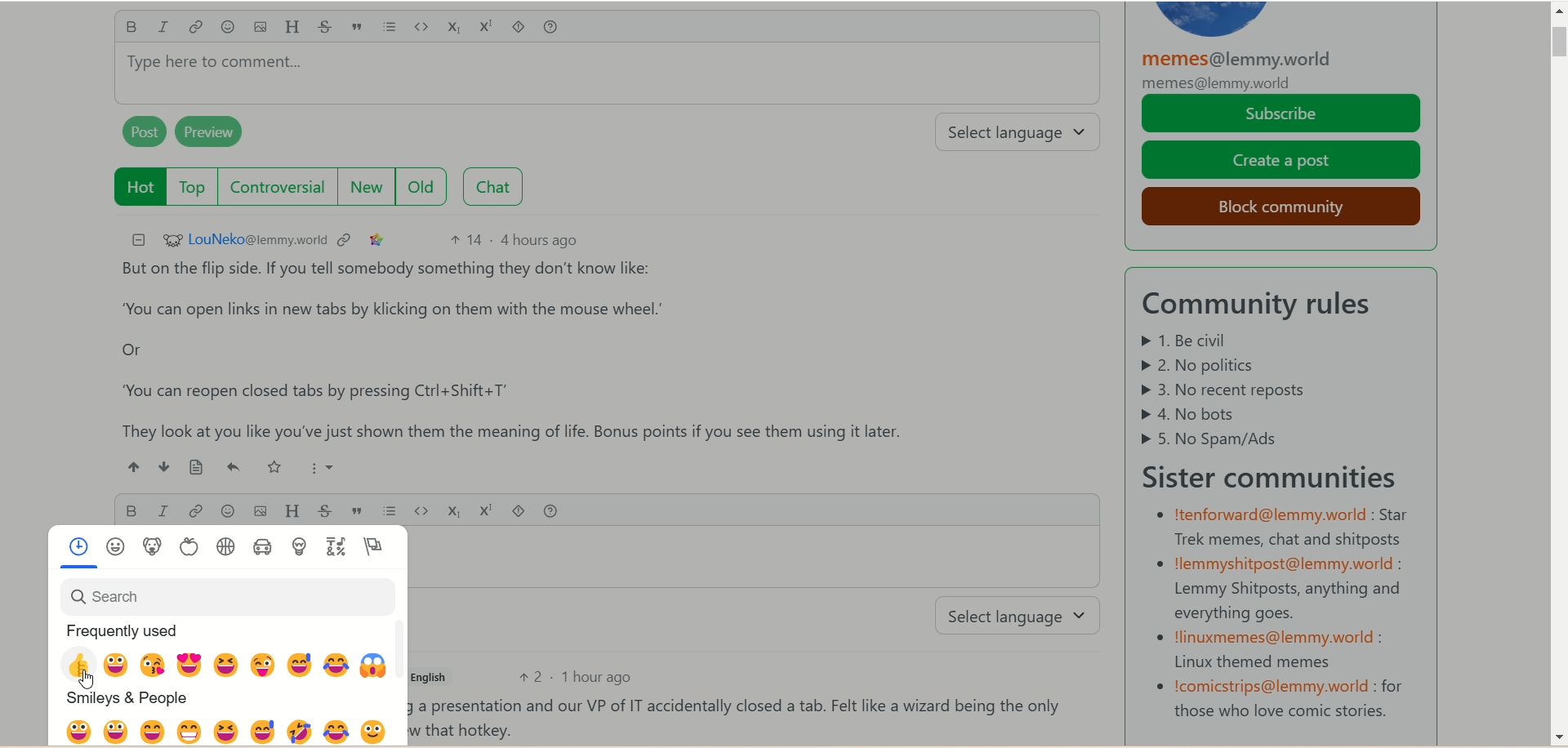  I want to click on quote, so click(361, 28).